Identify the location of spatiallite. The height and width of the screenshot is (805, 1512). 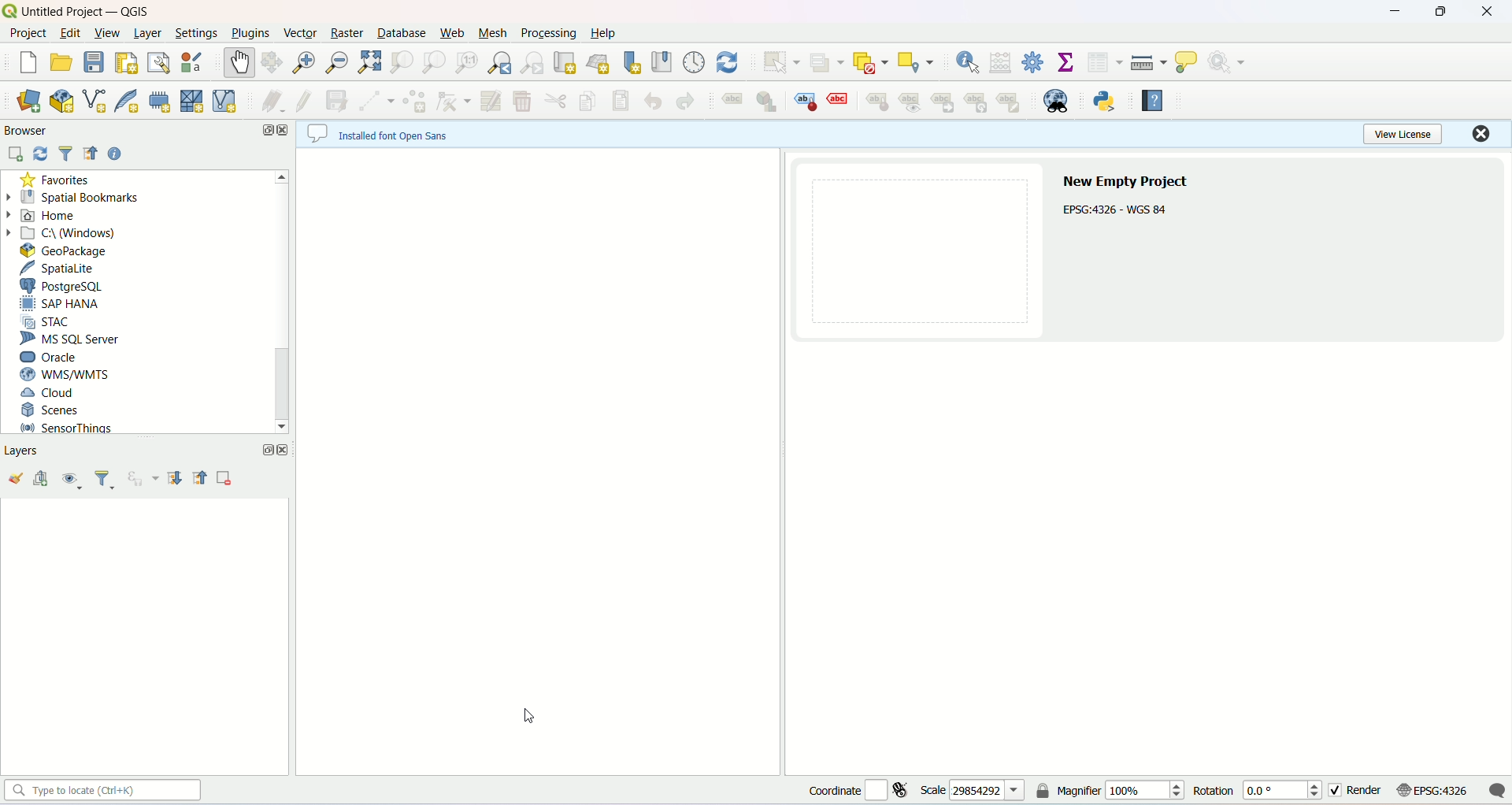
(61, 268).